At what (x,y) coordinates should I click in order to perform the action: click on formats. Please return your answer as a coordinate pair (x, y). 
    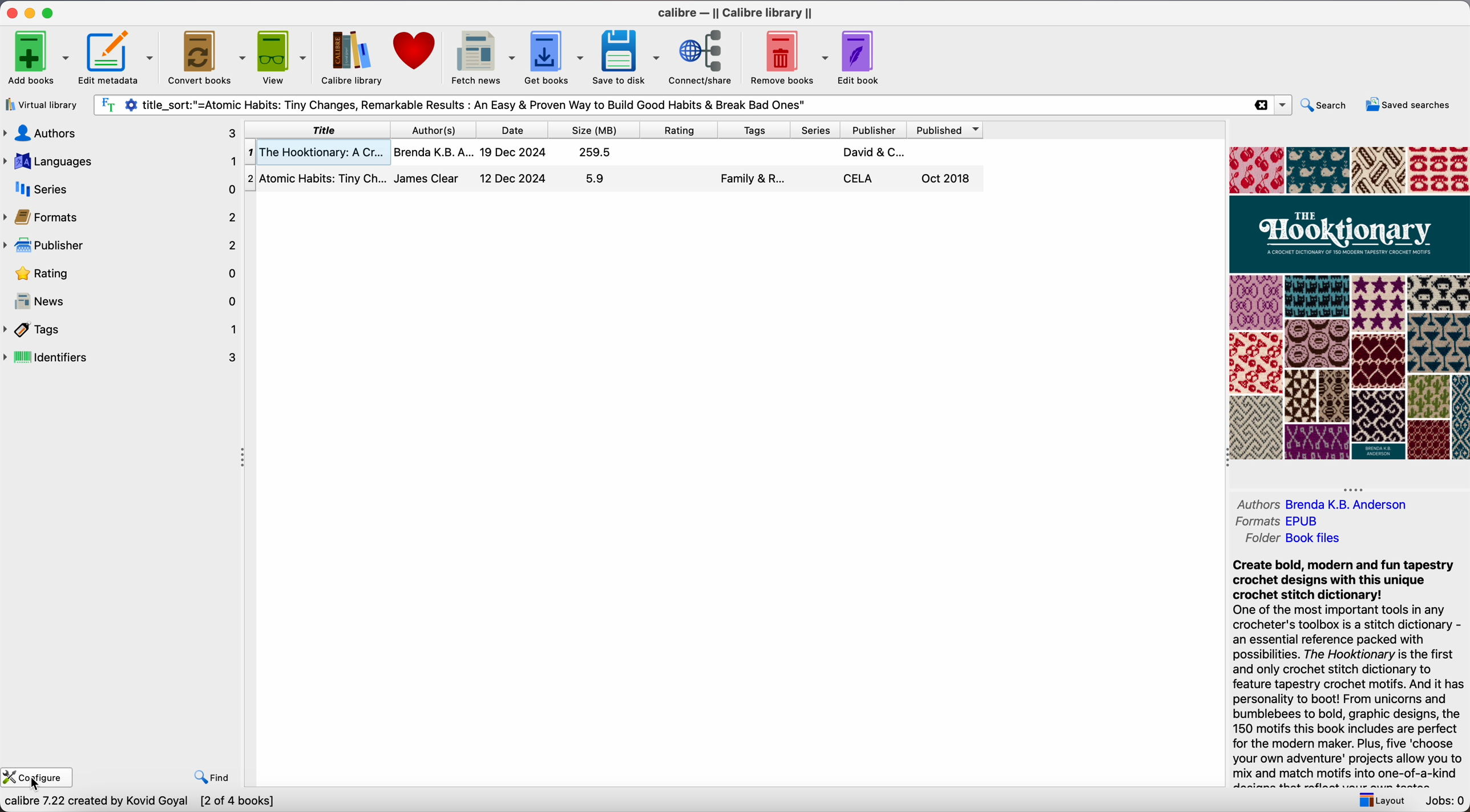
    Looking at the image, I should click on (122, 218).